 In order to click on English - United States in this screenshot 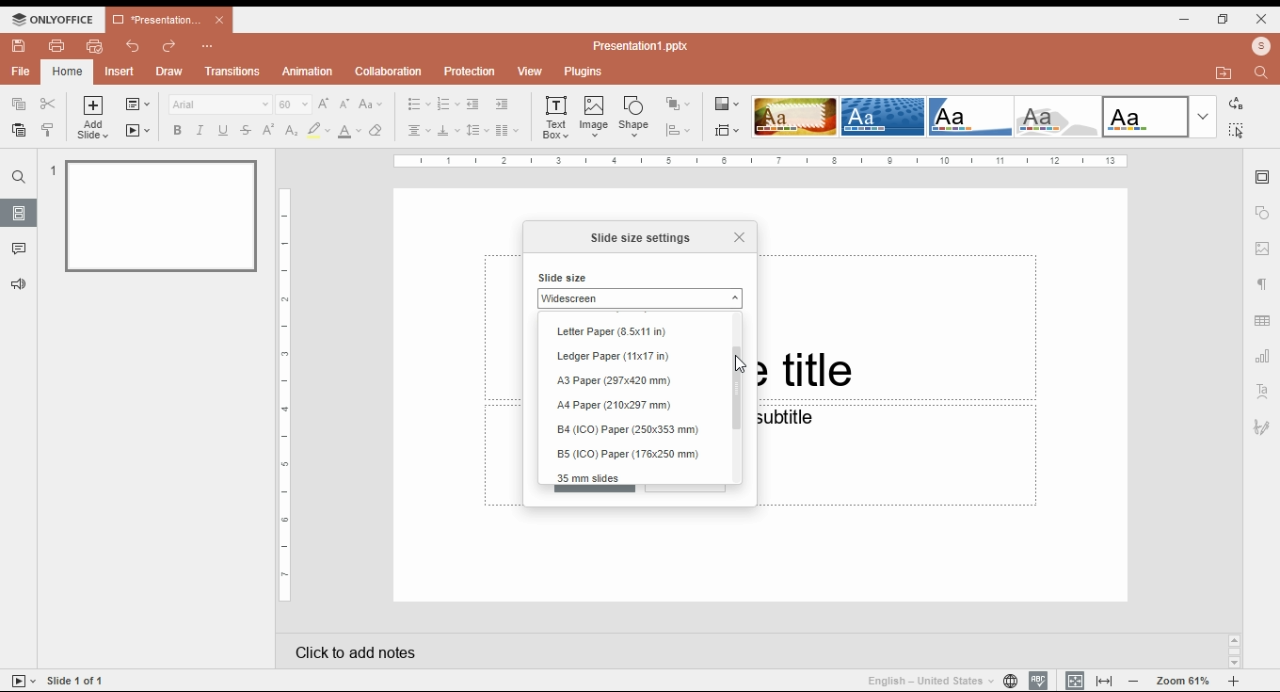, I will do `click(923, 680)`.